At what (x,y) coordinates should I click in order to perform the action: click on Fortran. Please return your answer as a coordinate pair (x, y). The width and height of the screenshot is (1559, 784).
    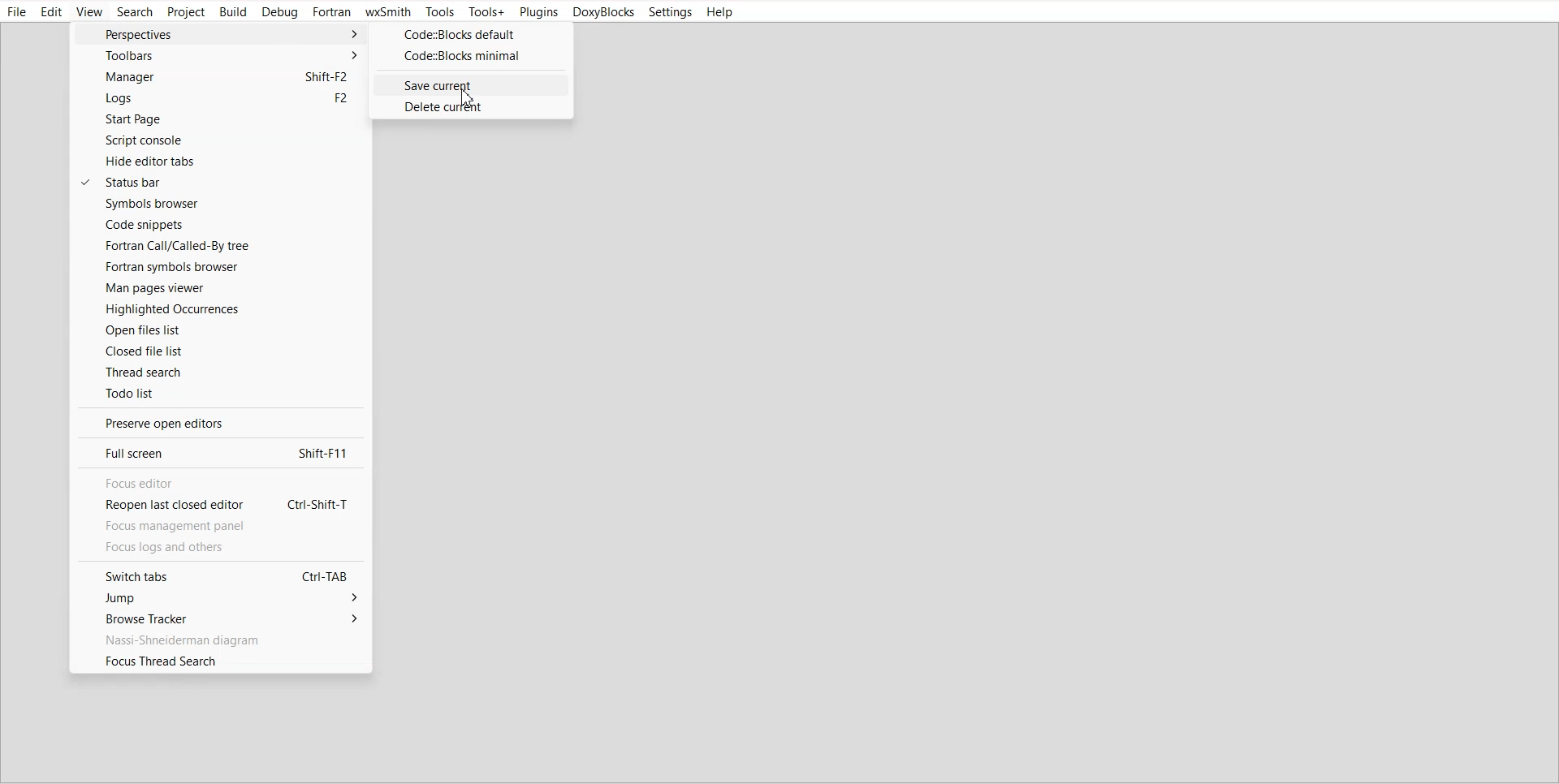
    Looking at the image, I should click on (332, 12).